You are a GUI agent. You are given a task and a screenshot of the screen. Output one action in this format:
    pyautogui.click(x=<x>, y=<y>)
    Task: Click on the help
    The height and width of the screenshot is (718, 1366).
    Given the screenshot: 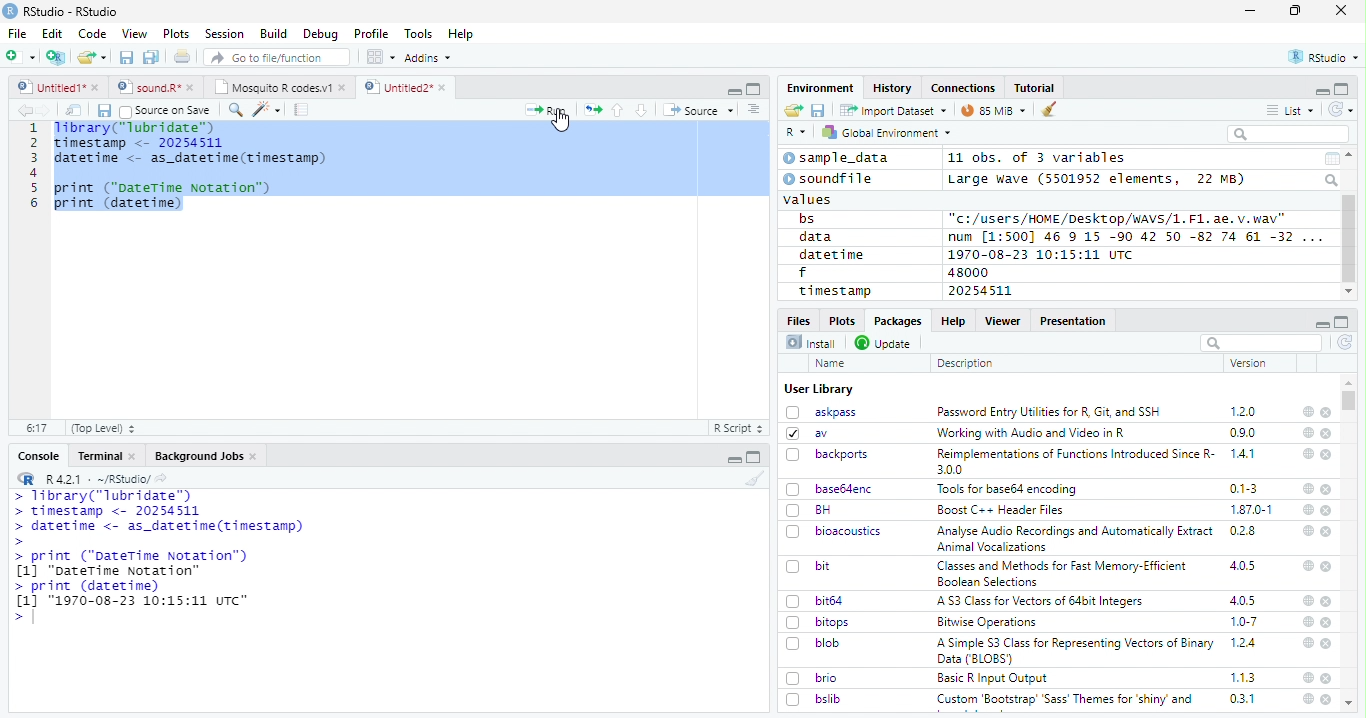 What is the action you would take?
    pyautogui.click(x=1308, y=432)
    